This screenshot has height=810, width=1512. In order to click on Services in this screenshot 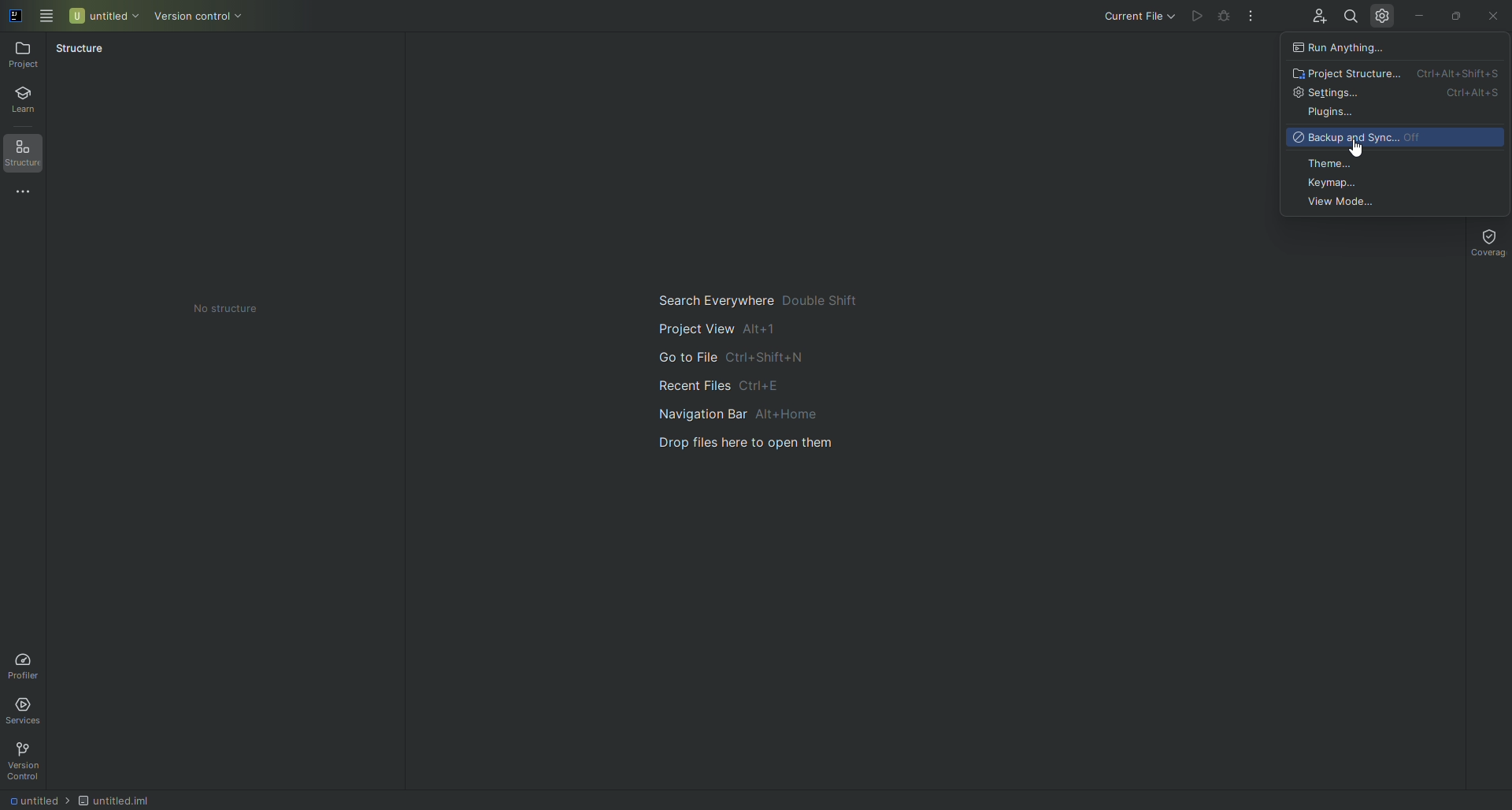, I will do `click(28, 708)`.